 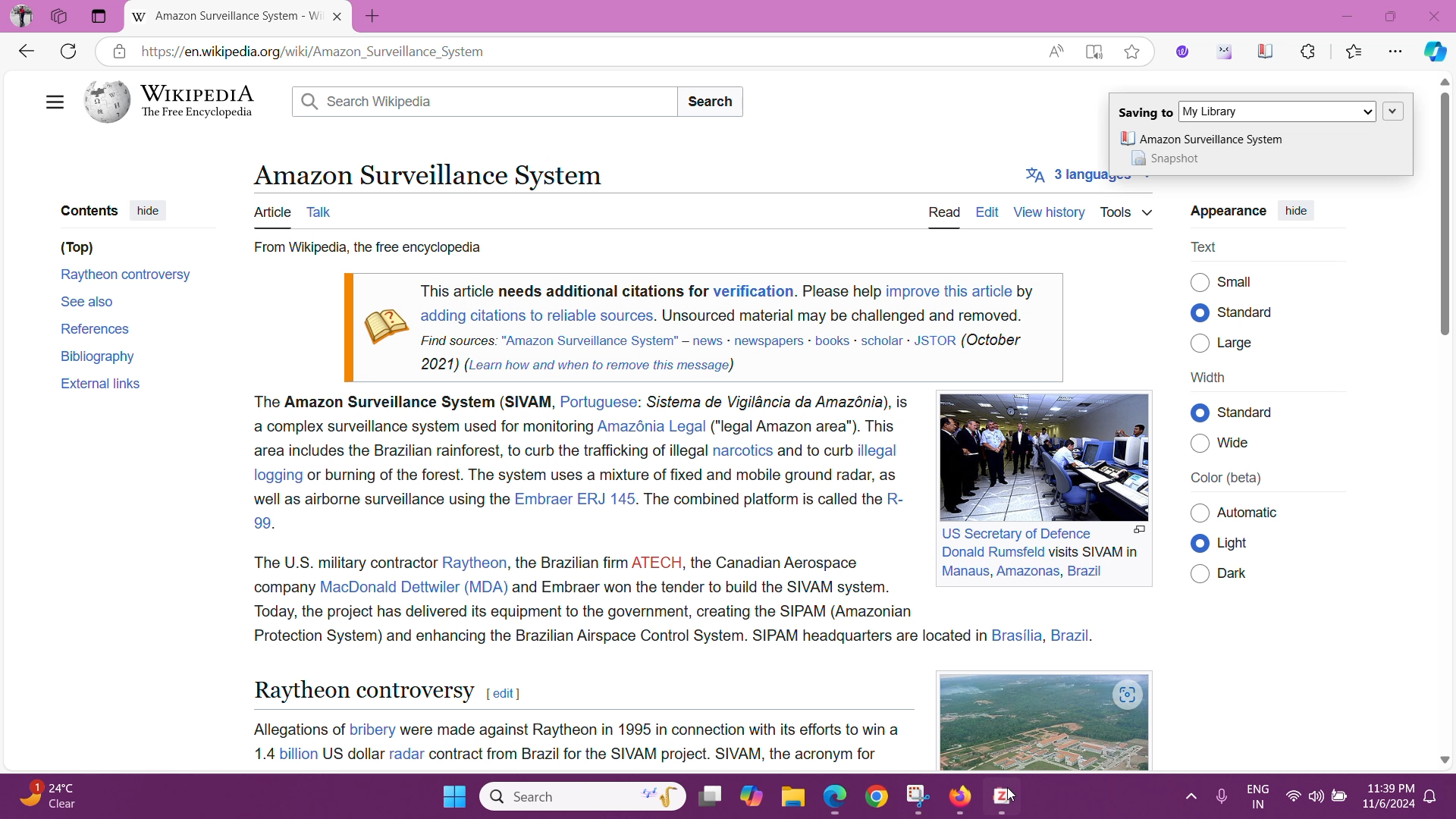 I want to click on (Top), so click(x=77, y=248).